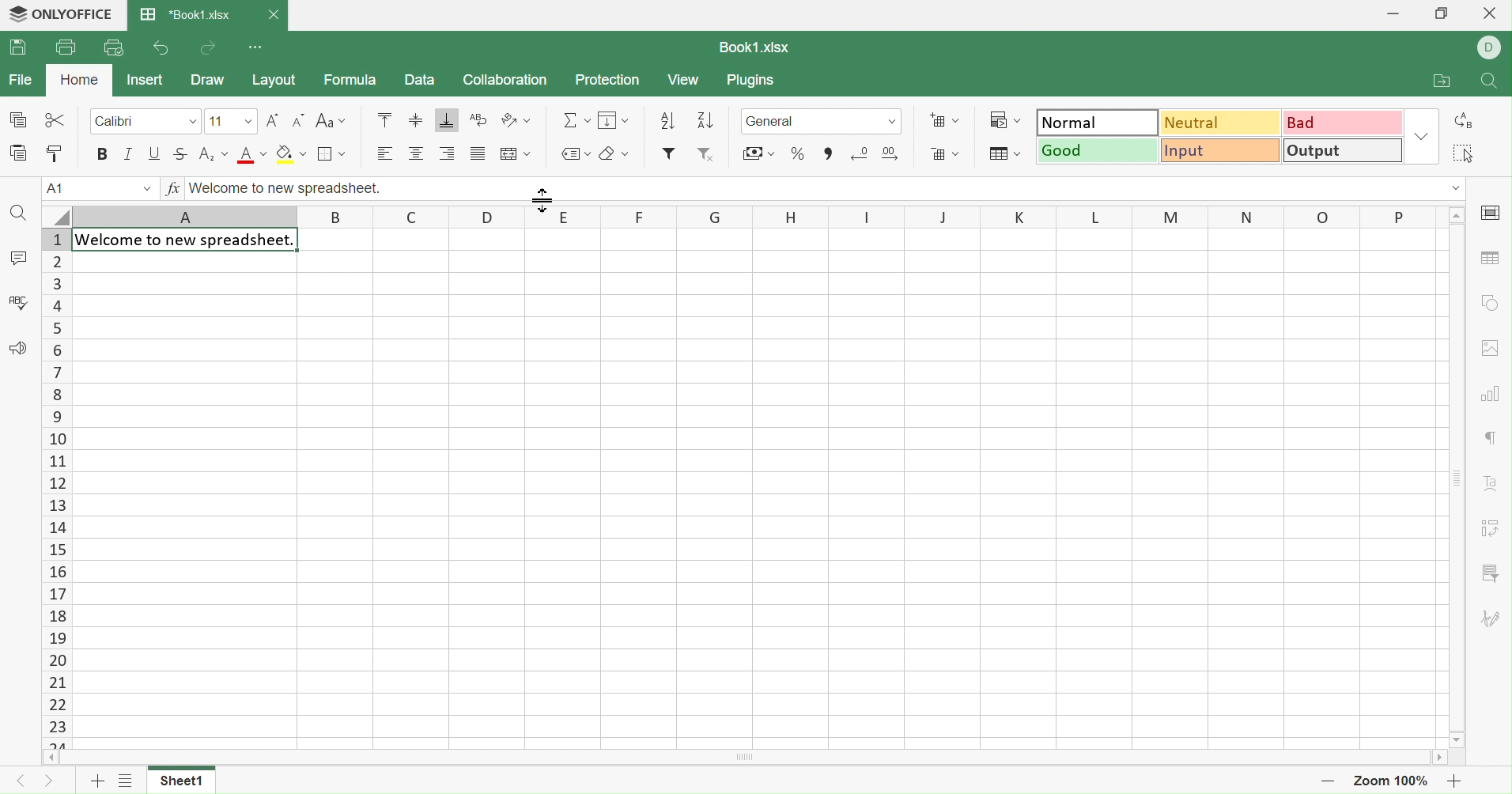  What do you see at coordinates (749, 758) in the screenshot?
I see `Scroll Bar` at bounding box center [749, 758].